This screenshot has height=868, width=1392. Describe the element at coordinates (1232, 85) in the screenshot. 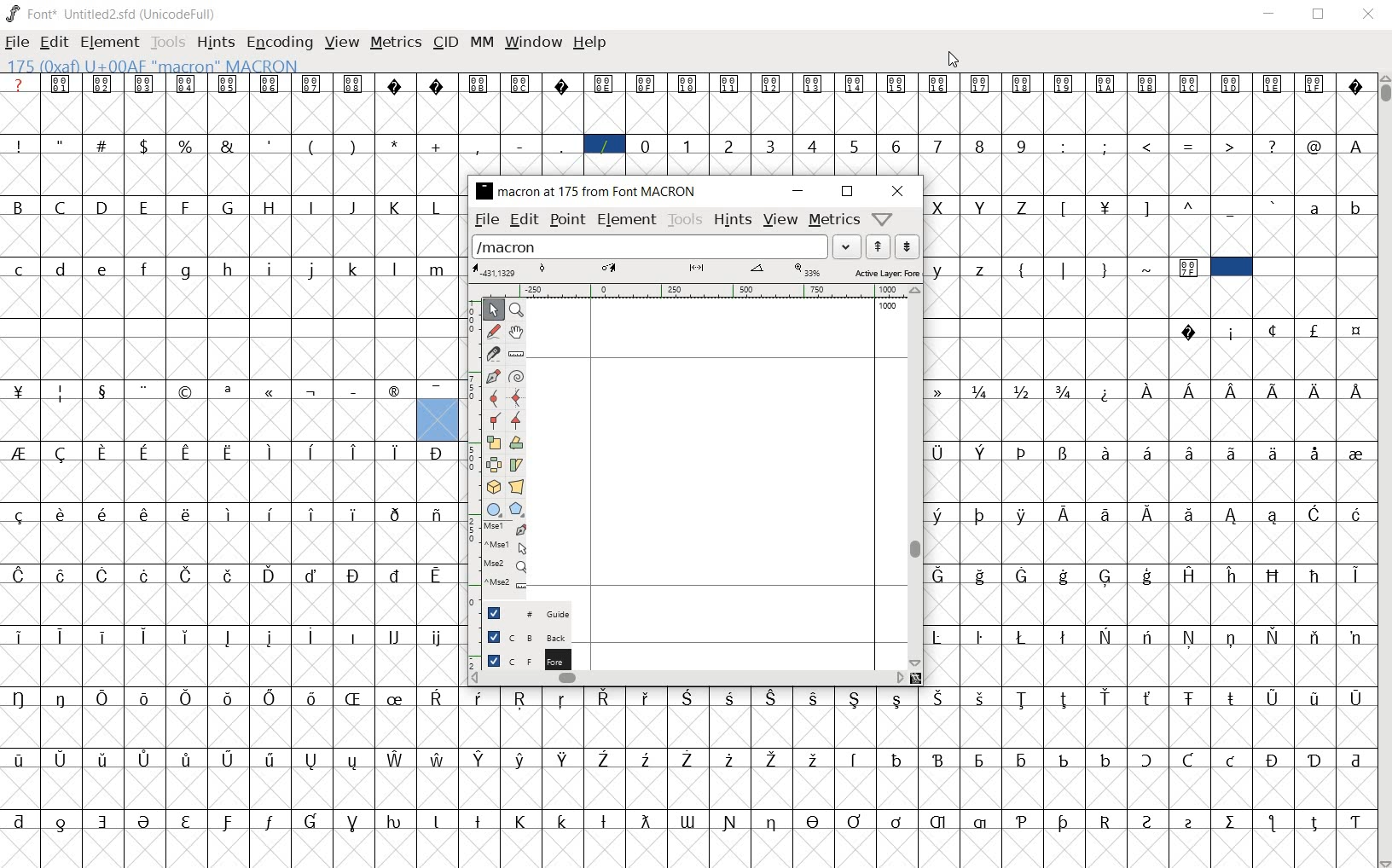

I see `Symbol` at that location.